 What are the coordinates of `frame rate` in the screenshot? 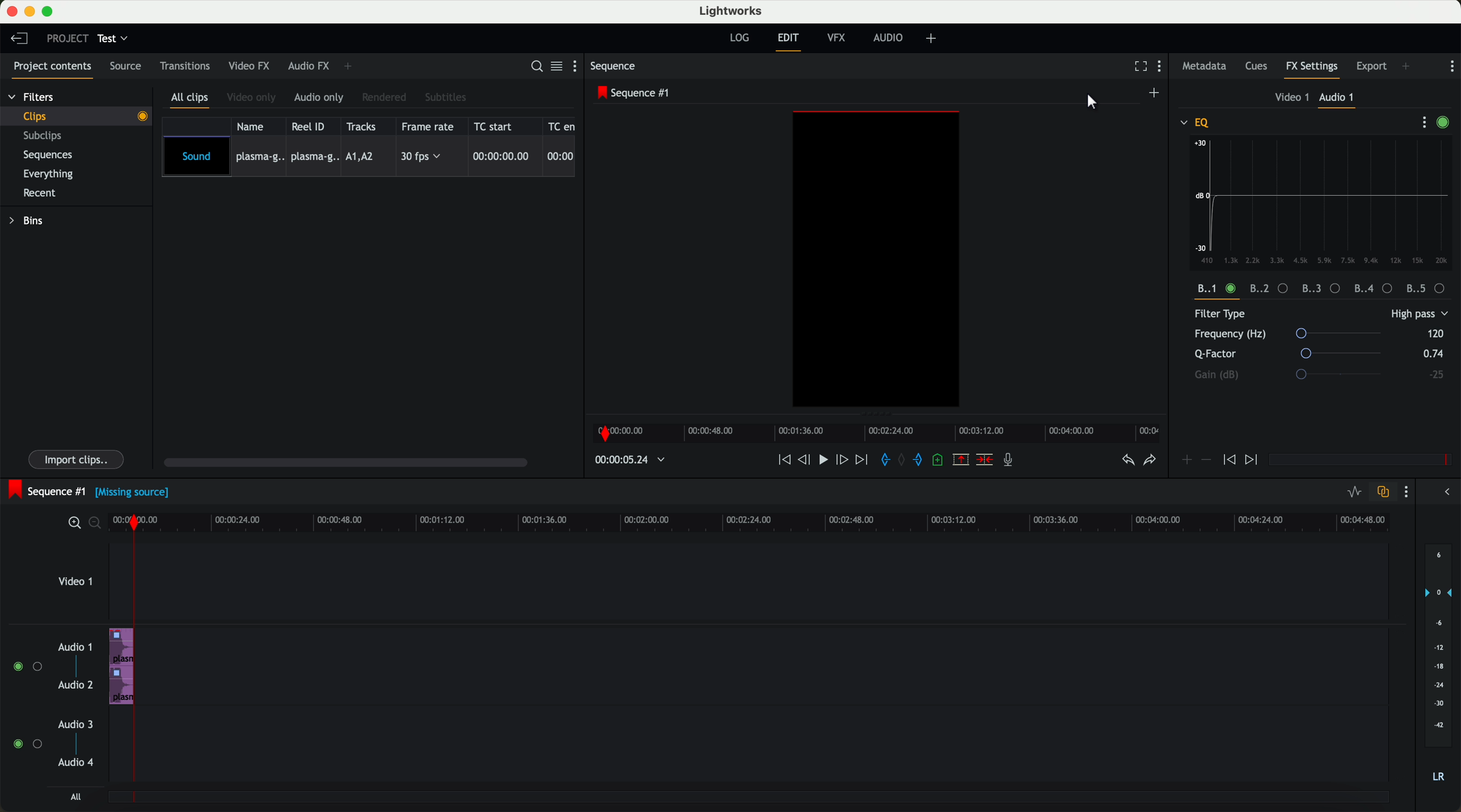 It's located at (430, 126).